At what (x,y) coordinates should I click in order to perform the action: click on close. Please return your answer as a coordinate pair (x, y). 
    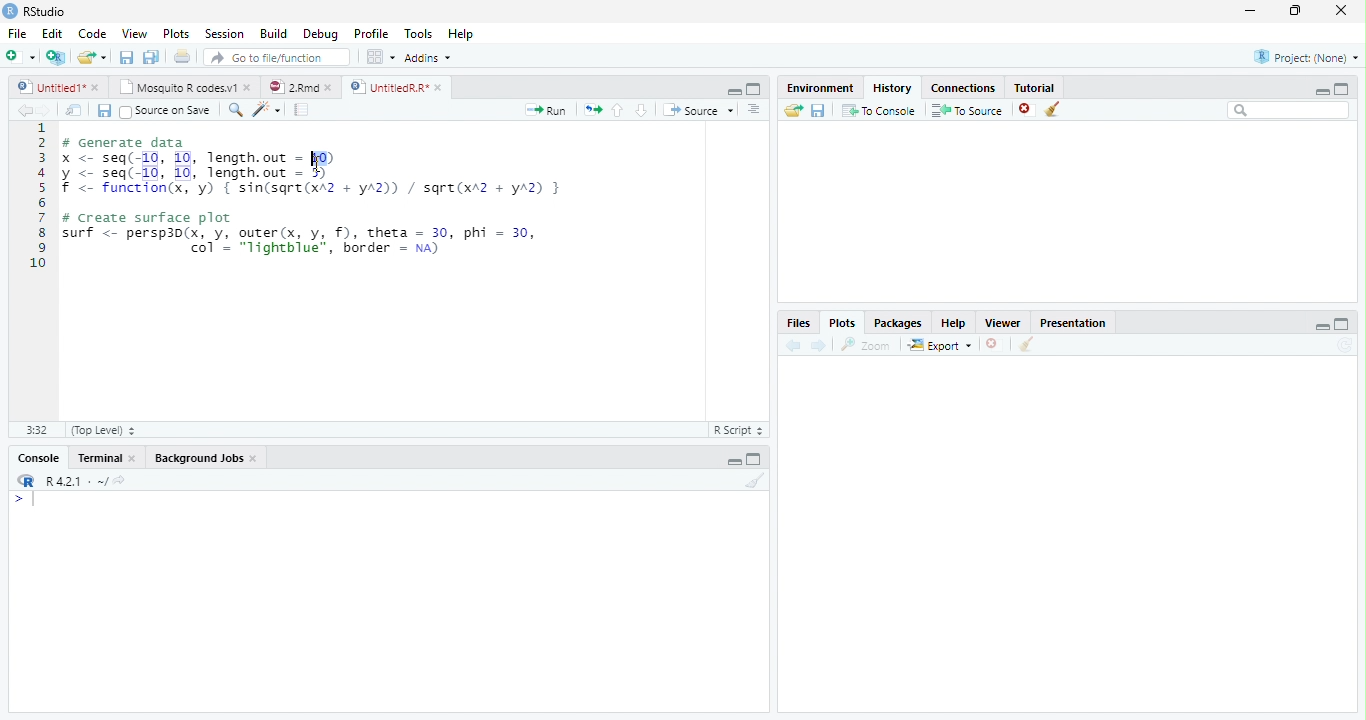
    Looking at the image, I should click on (96, 87).